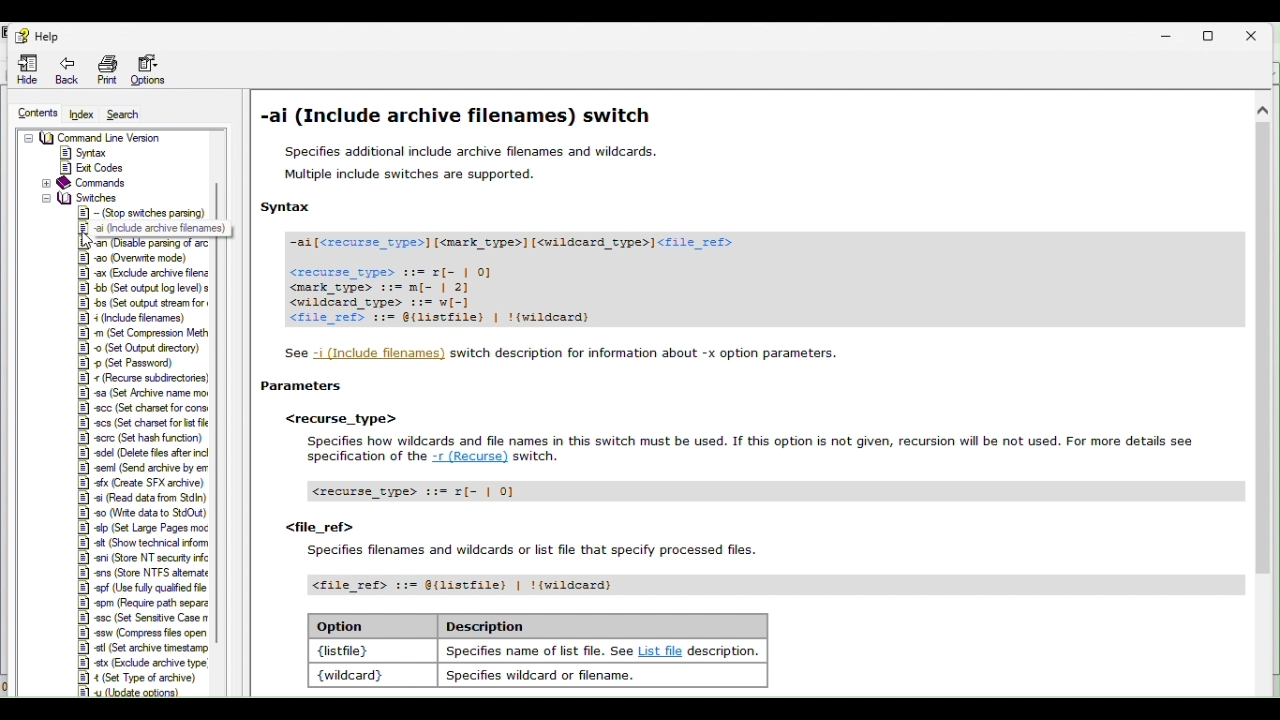 The image size is (1280, 720). I want to click on Minimise, so click(1176, 33).